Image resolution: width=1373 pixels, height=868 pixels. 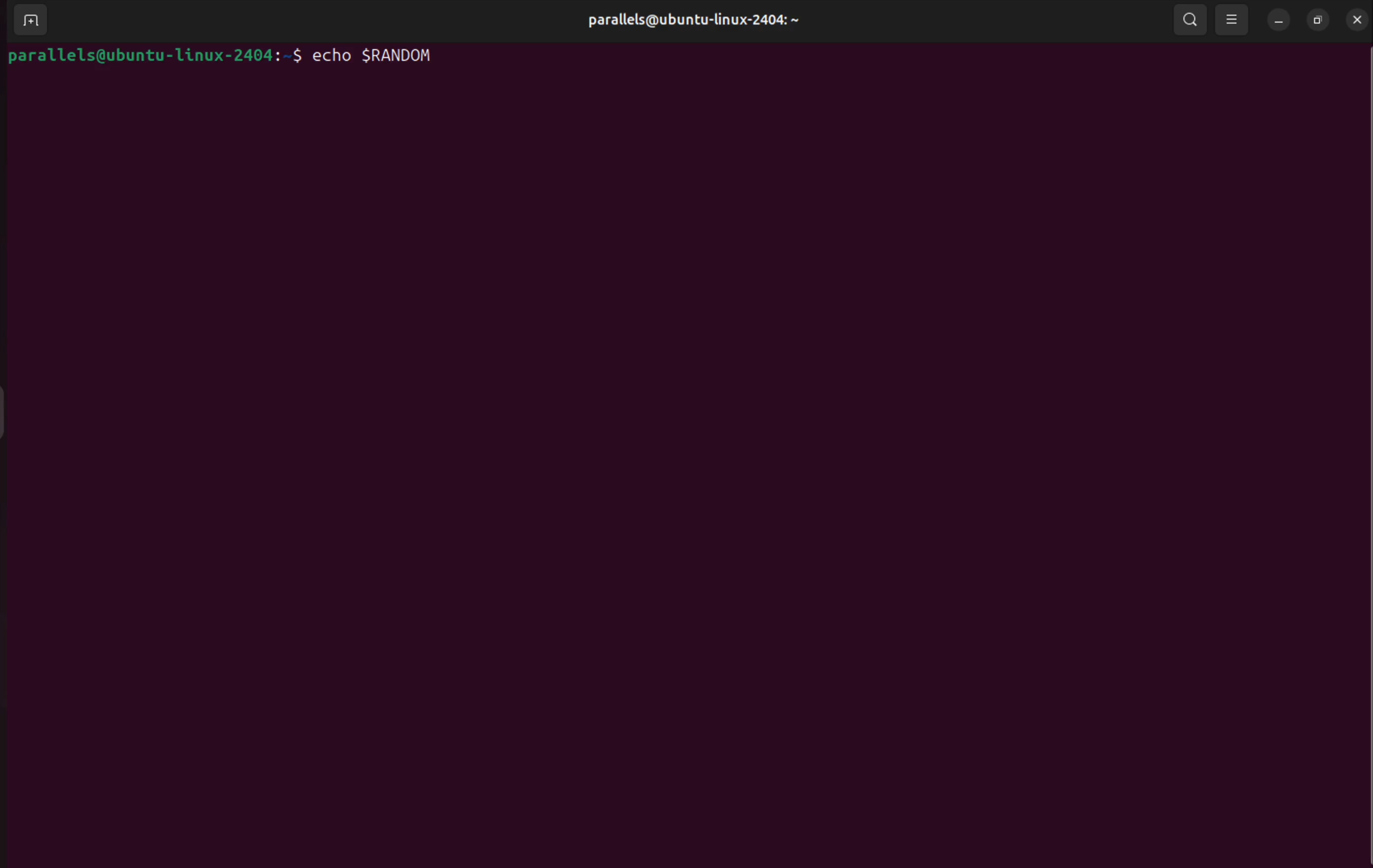 What do you see at coordinates (377, 58) in the screenshot?
I see `echo $RANDOM` at bounding box center [377, 58].